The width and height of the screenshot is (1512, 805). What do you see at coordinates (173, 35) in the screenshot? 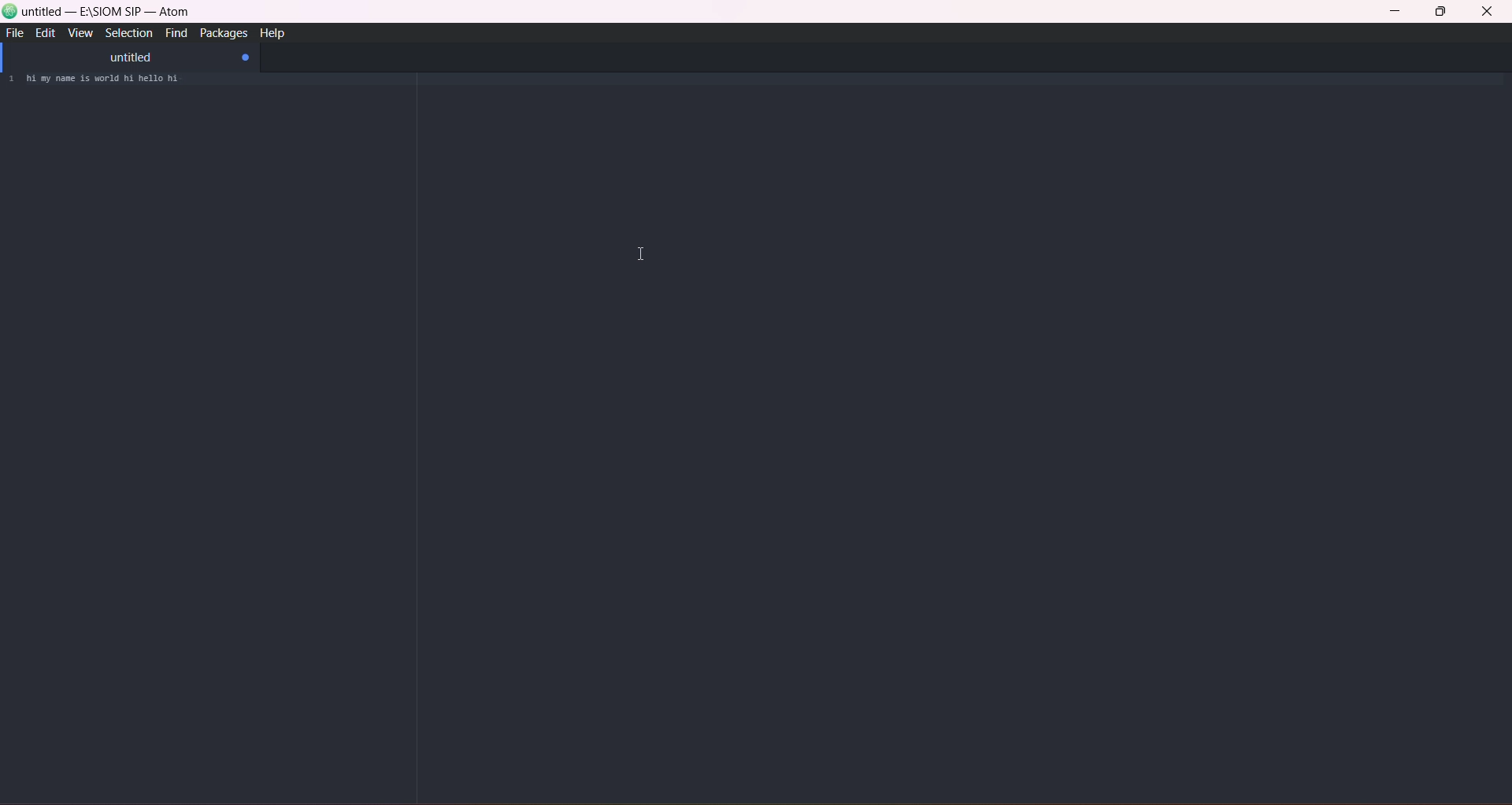
I see `find` at bounding box center [173, 35].